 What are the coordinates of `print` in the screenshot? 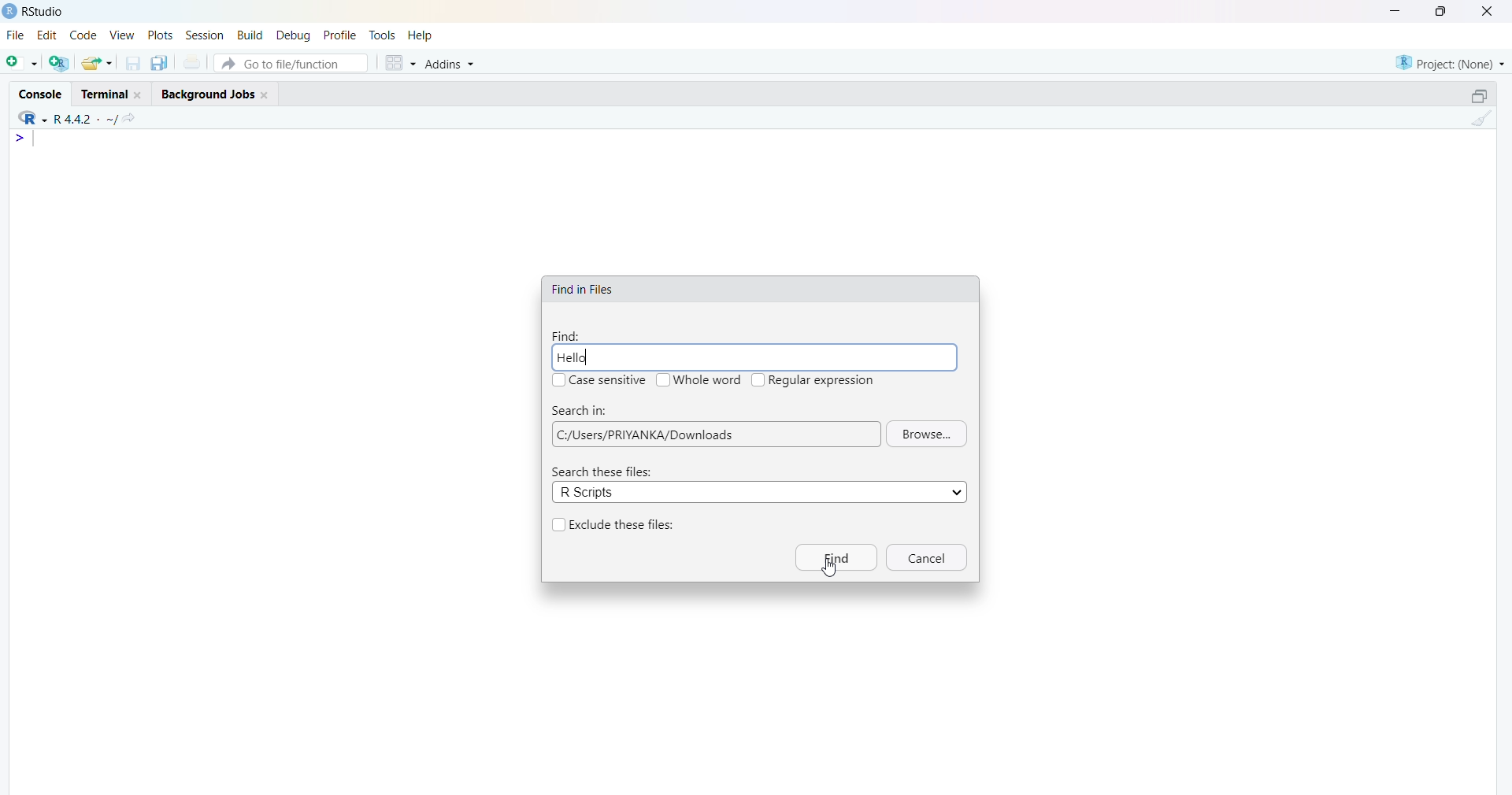 It's located at (193, 62).